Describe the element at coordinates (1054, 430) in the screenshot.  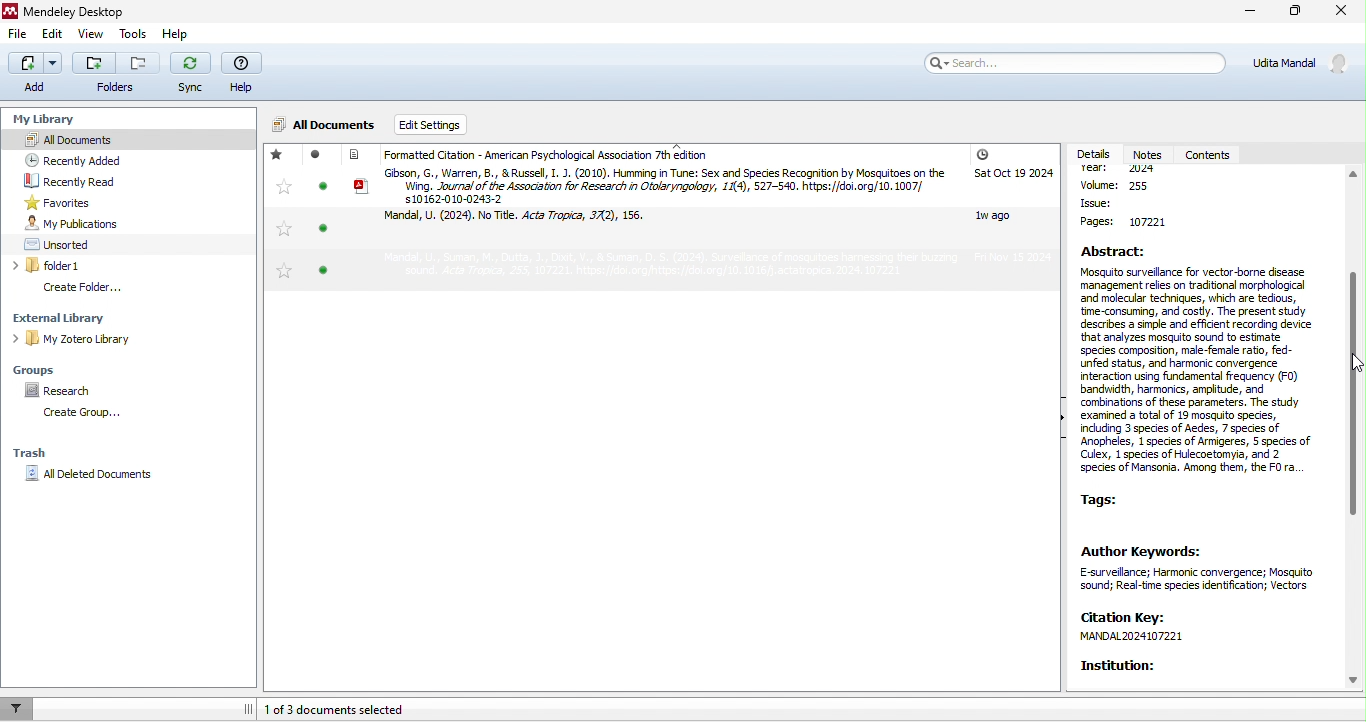
I see `show/hide` at that location.